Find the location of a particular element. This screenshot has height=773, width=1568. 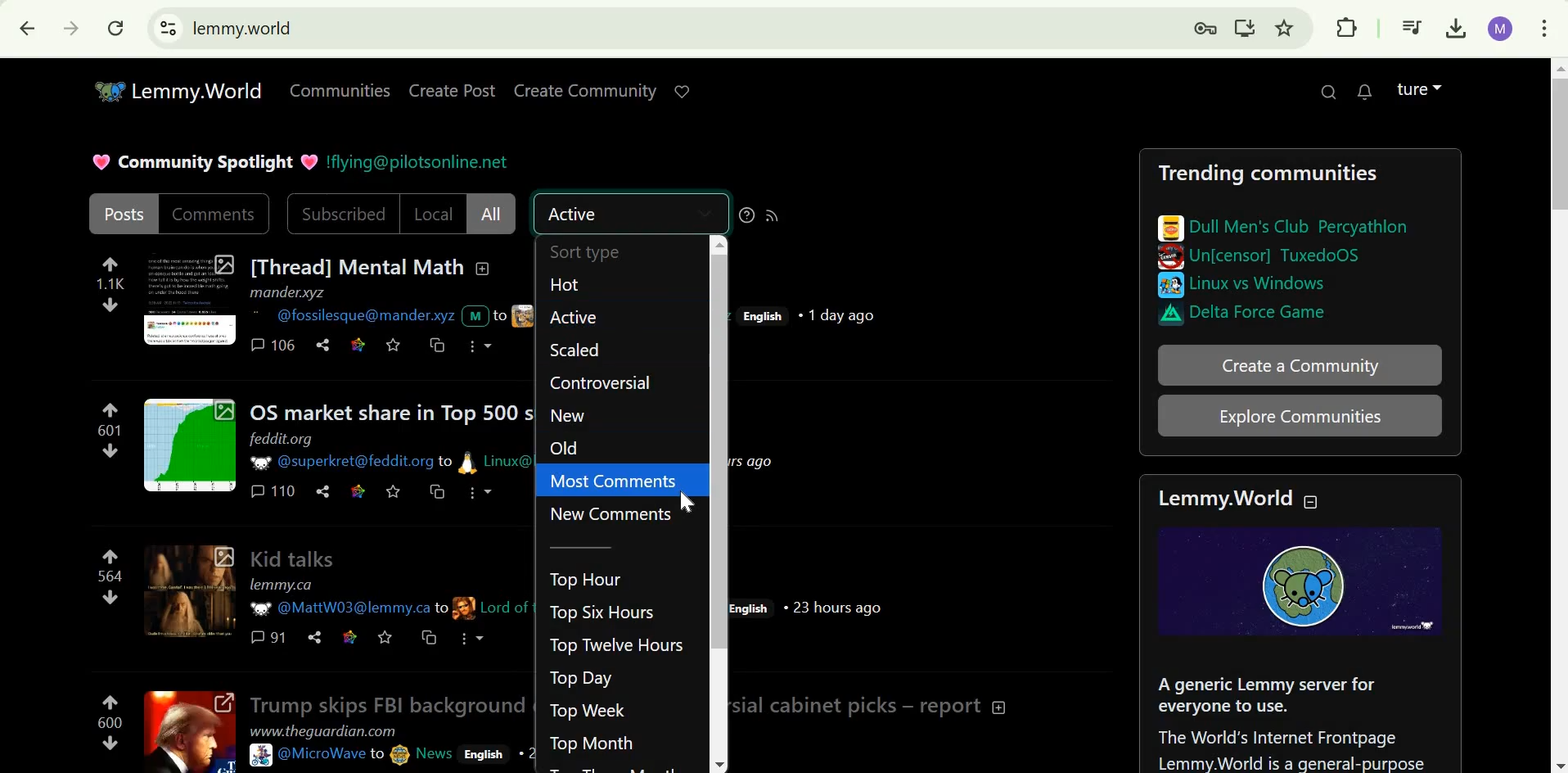

Create community is located at coordinates (1300, 366).